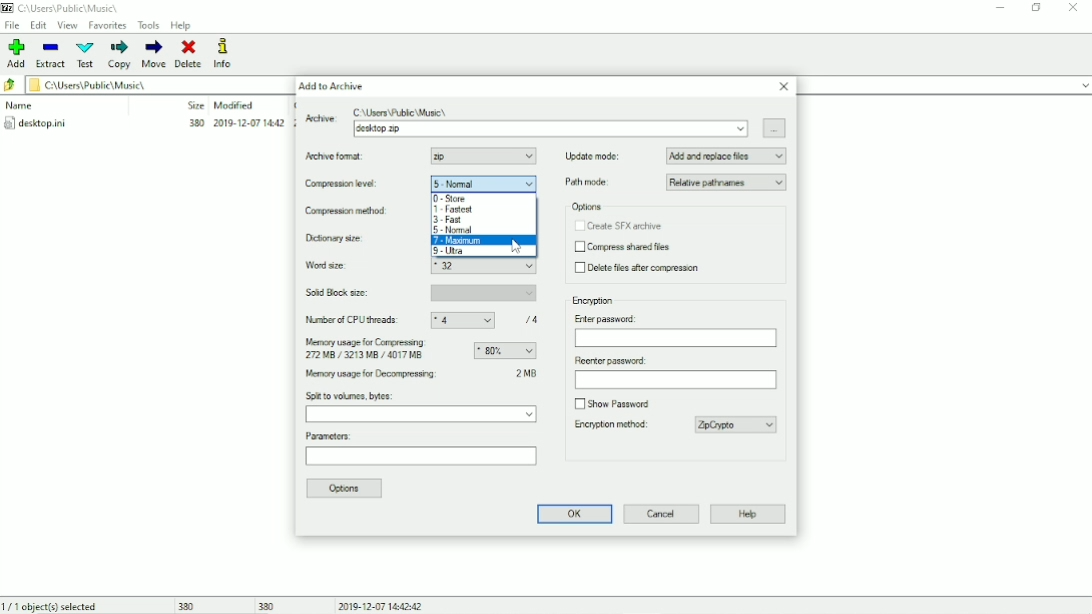 The image size is (1092, 614). Describe the element at coordinates (595, 301) in the screenshot. I see `Encryption` at that location.